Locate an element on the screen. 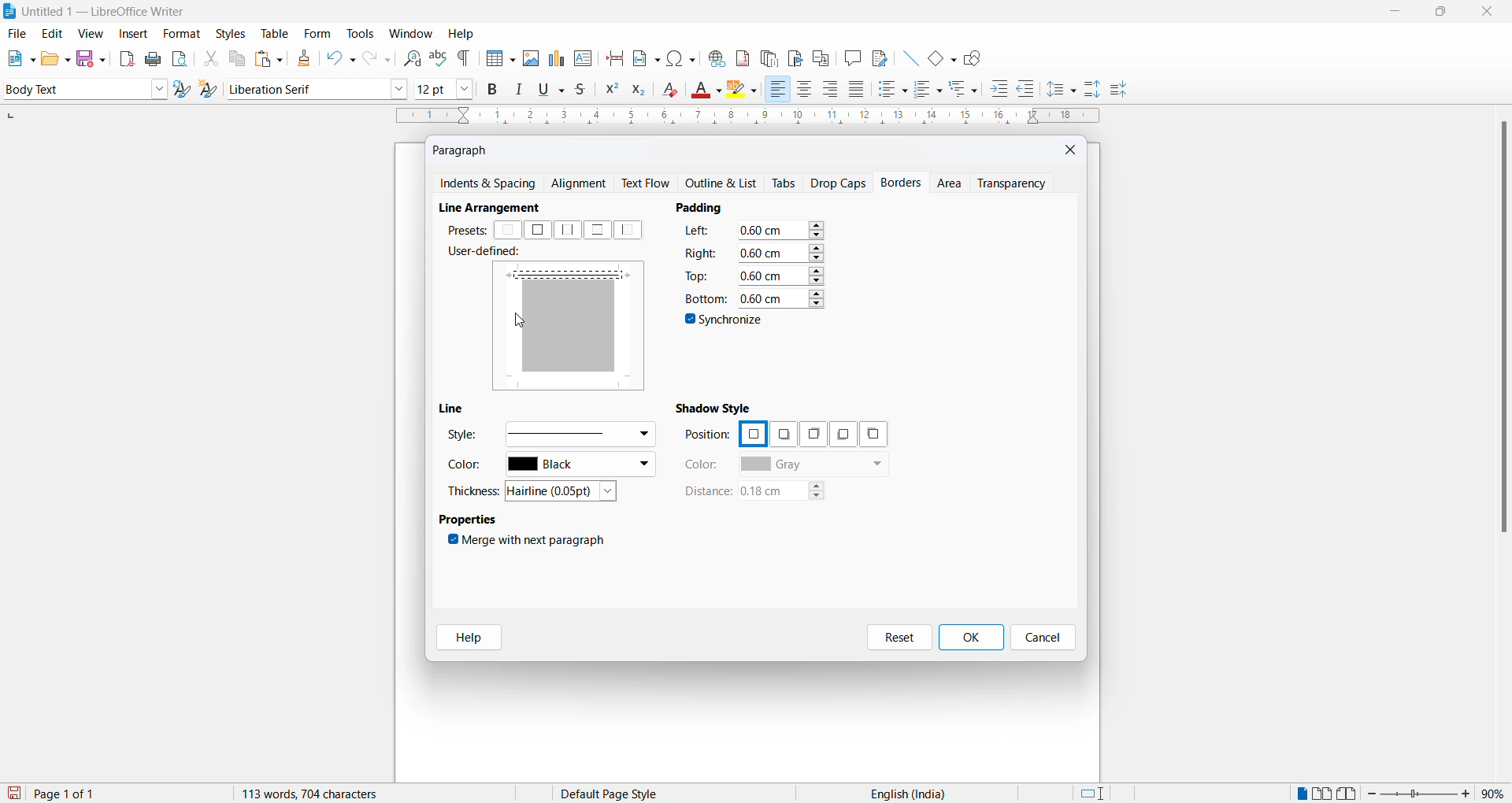 The image size is (1512, 803). right and left is located at coordinates (569, 230).